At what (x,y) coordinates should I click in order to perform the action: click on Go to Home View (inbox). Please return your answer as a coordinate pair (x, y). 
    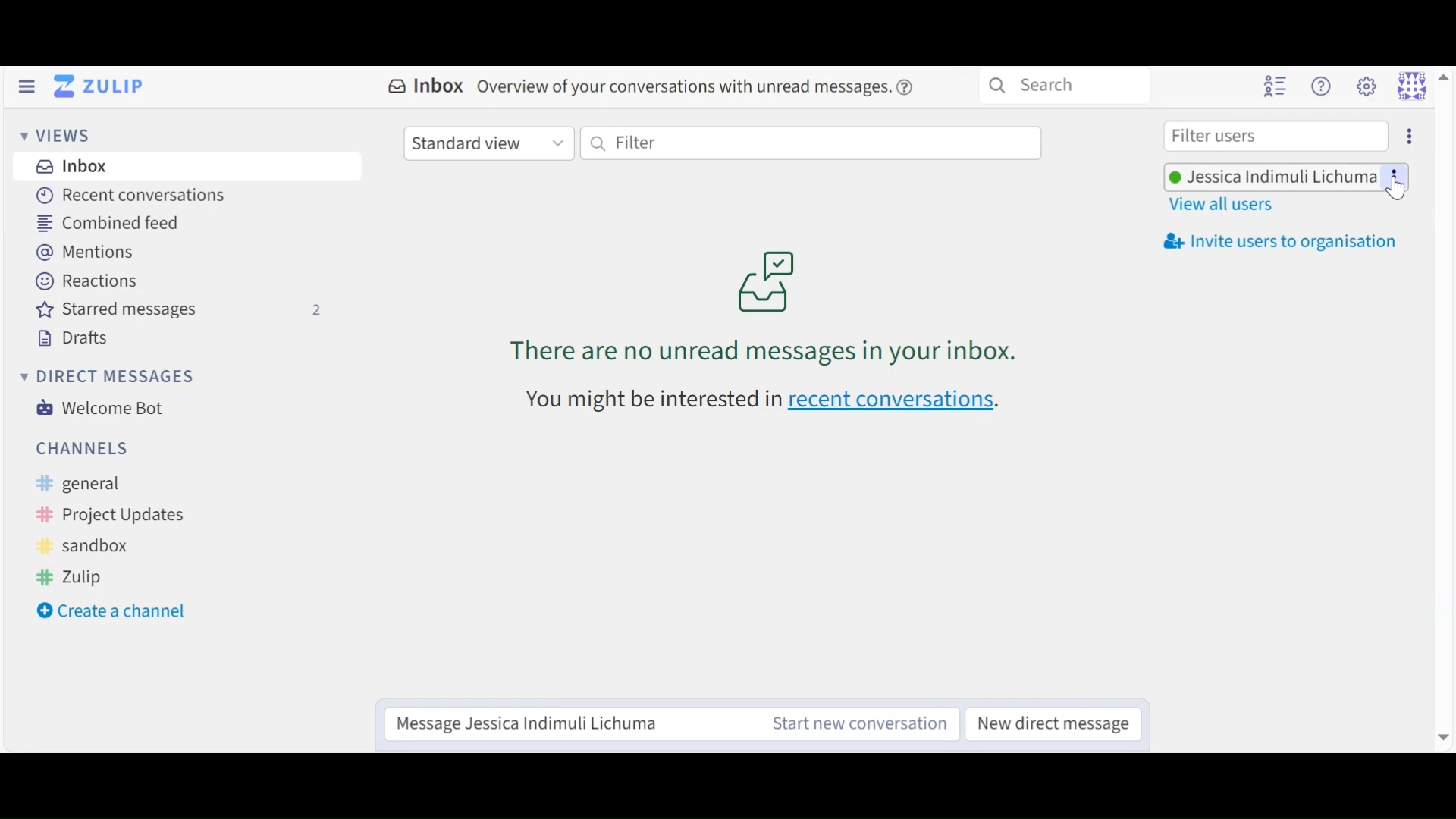
    Looking at the image, I should click on (102, 87).